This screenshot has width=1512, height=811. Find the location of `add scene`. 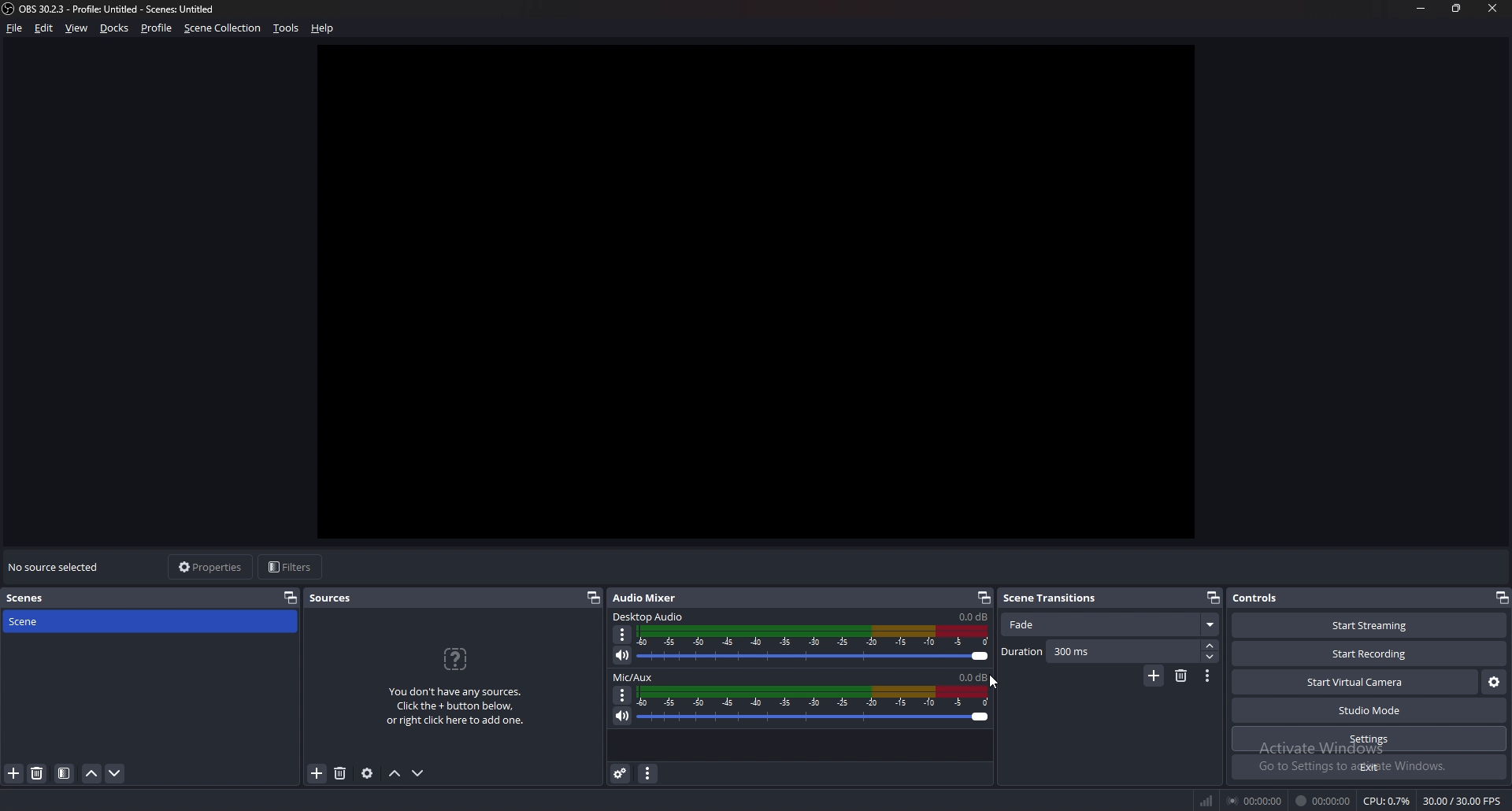

add scene is located at coordinates (1155, 675).